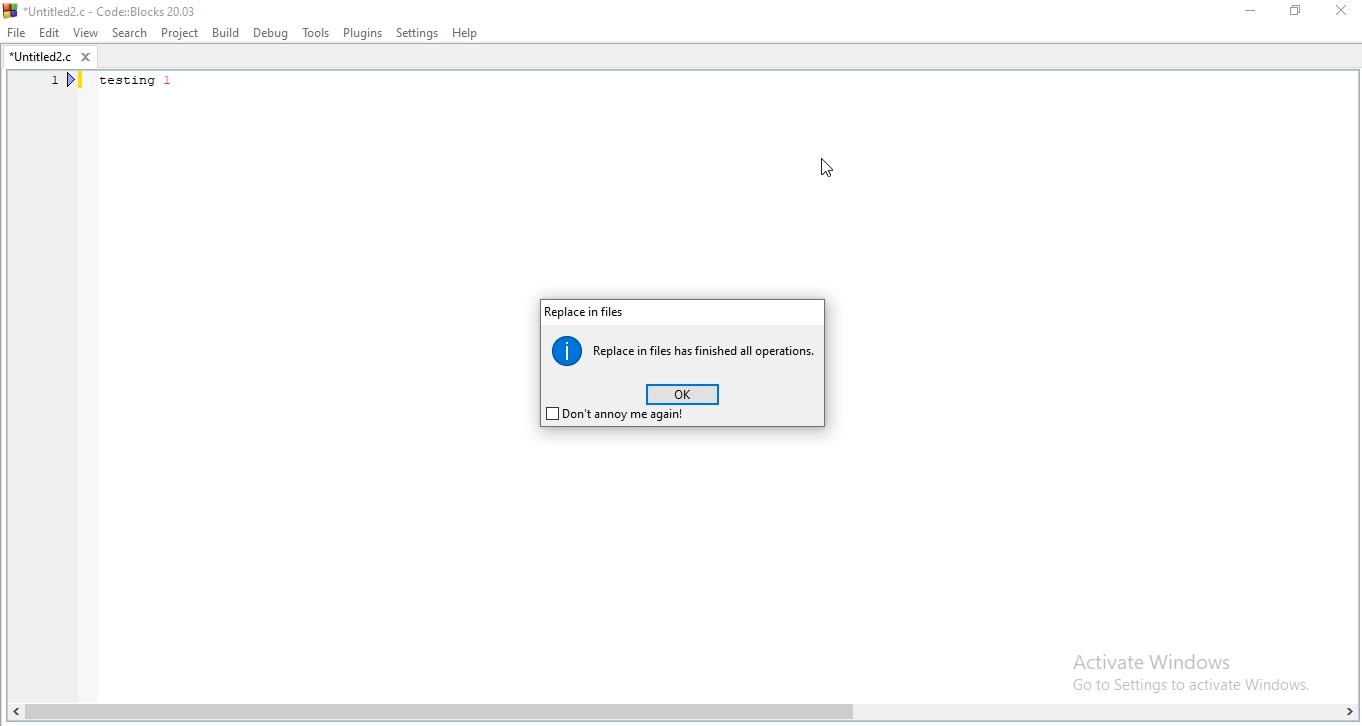 The height and width of the screenshot is (726, 1362). What do you see at coordinates (683, 395) in the screenshot?
I see `ok` at bounding box center [683, 395].